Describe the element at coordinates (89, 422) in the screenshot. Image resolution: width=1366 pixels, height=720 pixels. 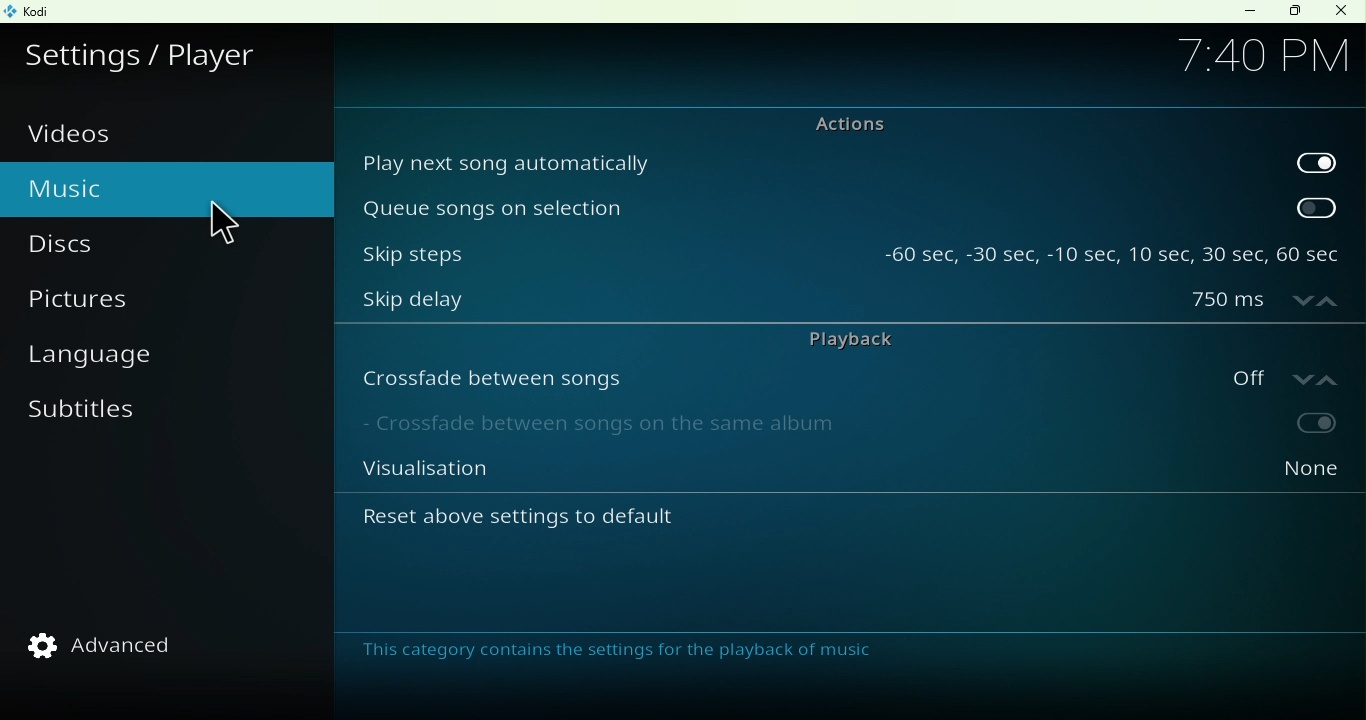
I see `Subtitles` at that location.